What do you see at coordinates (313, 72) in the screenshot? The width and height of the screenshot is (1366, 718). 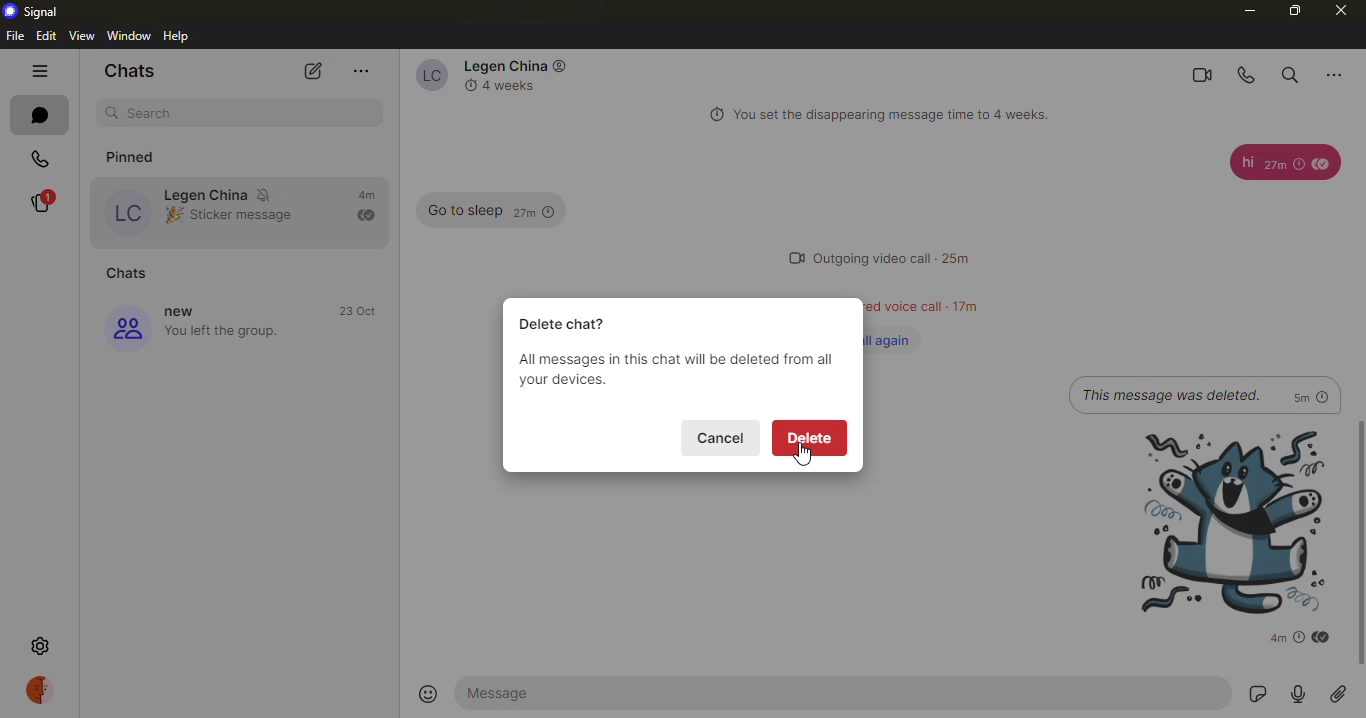 I see `new chat` at bounding box center [313, 72].